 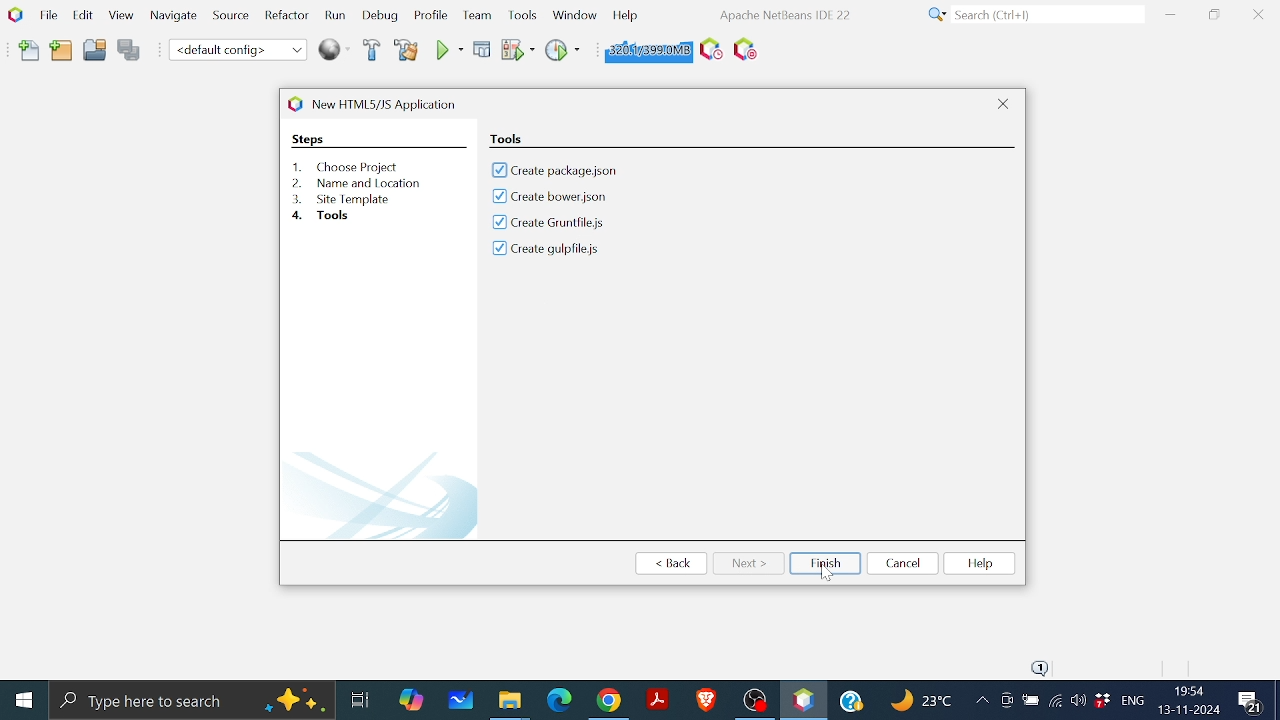 What do you see at coordinates (80, 14) in the screenshot?
I see `Edit` at bounding box center [80, 14].